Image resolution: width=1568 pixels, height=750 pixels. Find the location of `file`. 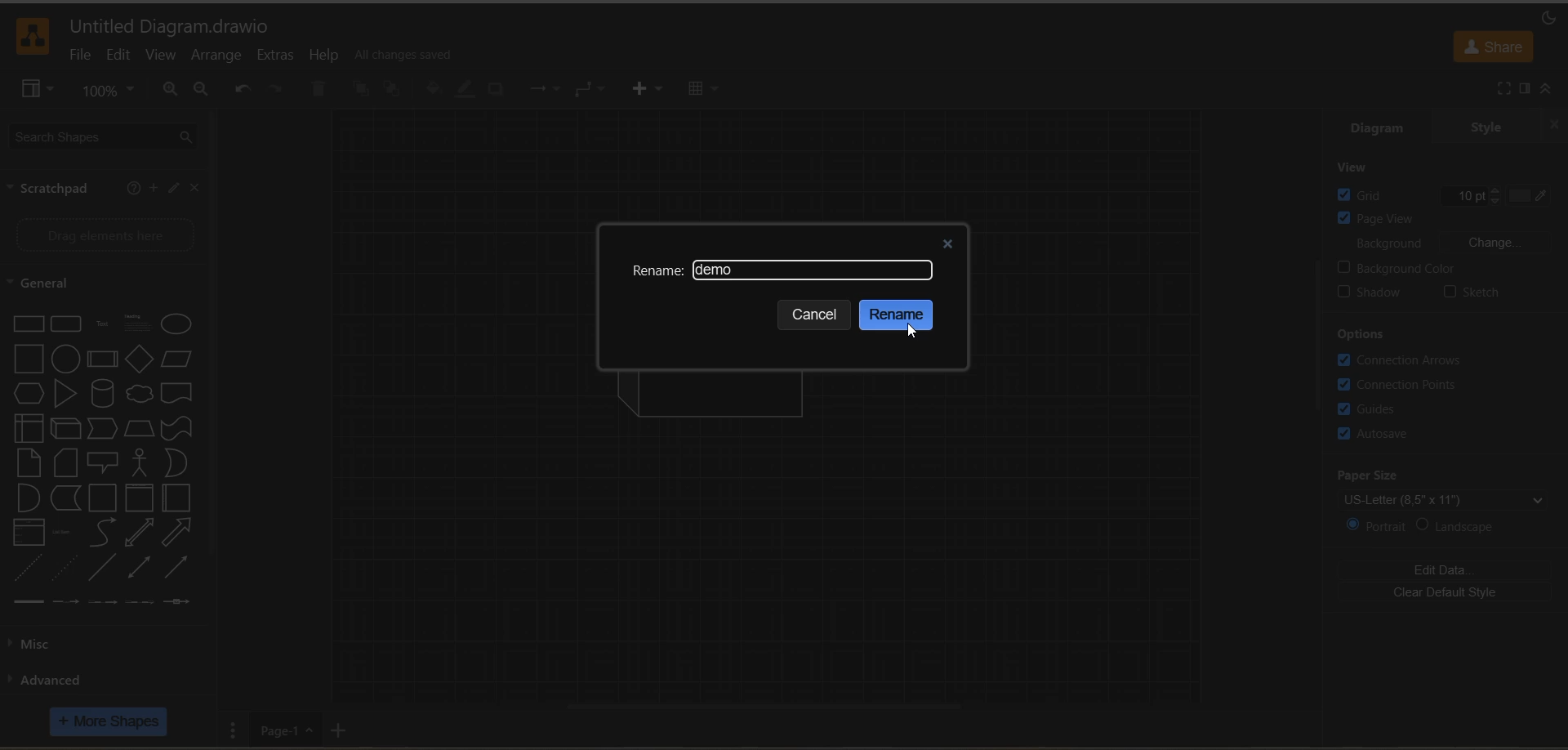

file is located at coordinates (78, 58).